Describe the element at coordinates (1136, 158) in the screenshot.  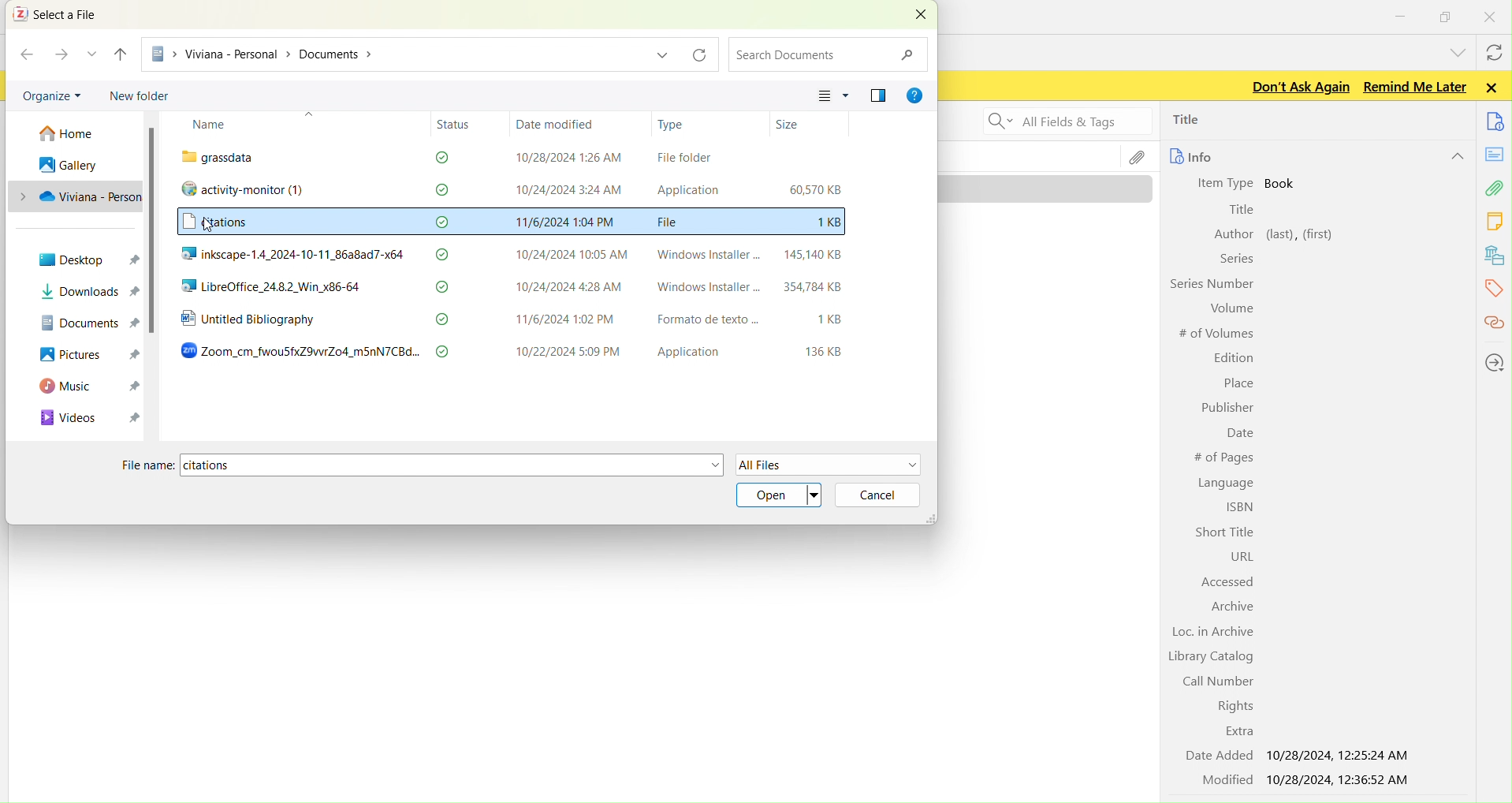
I see `file` at that location.